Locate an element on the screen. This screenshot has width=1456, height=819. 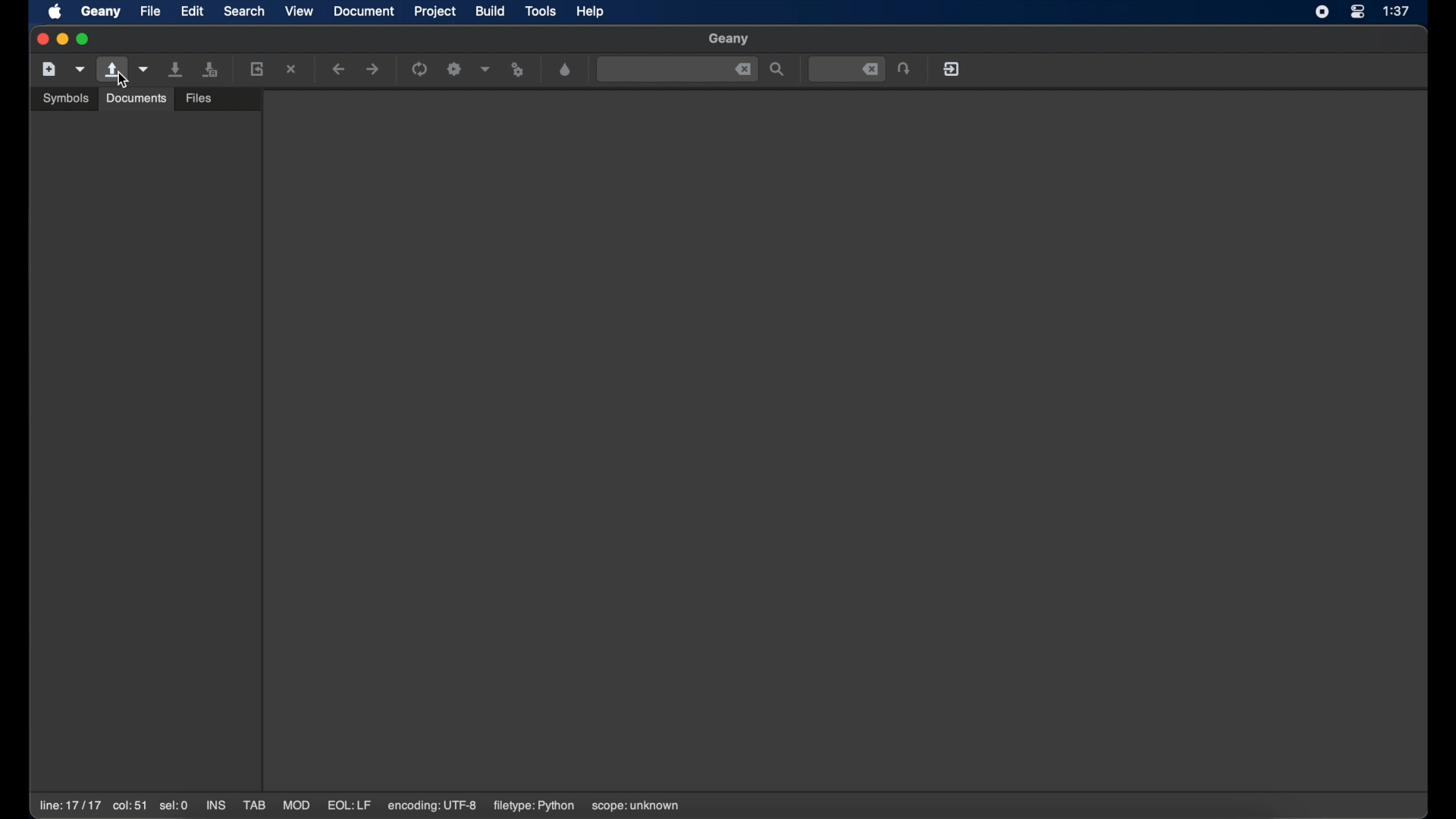
filetype: python is located at coordinates (532, 806).